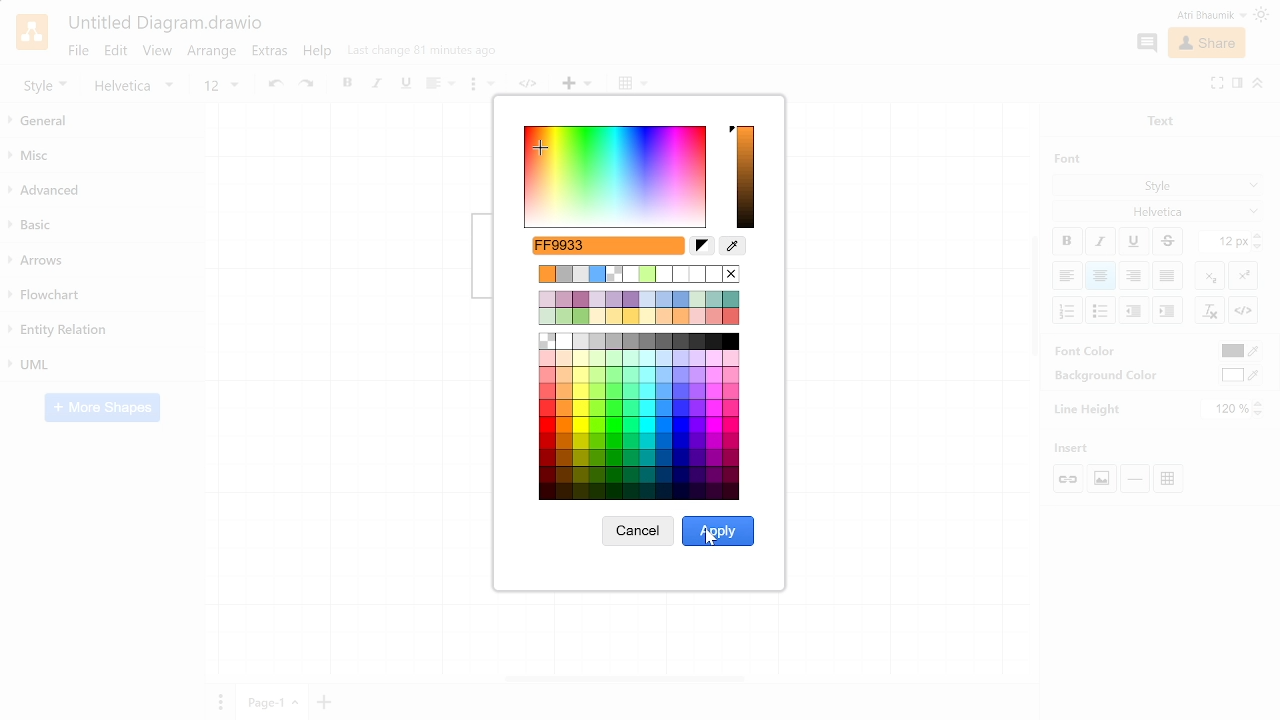  Describe the element at coordinates (1035, 299) in the screenshot. I see `Vertical scrollbar` at that location.